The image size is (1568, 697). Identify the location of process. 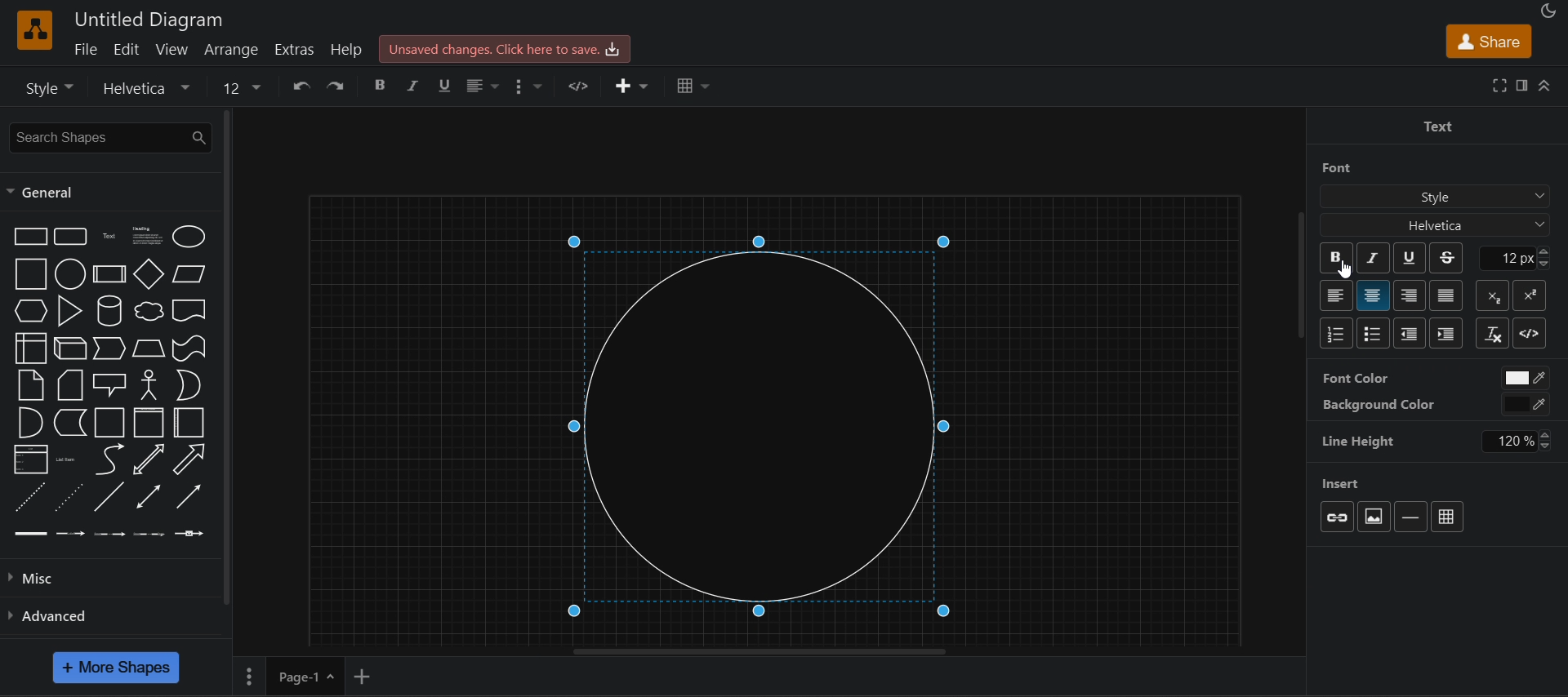
(112, 275).